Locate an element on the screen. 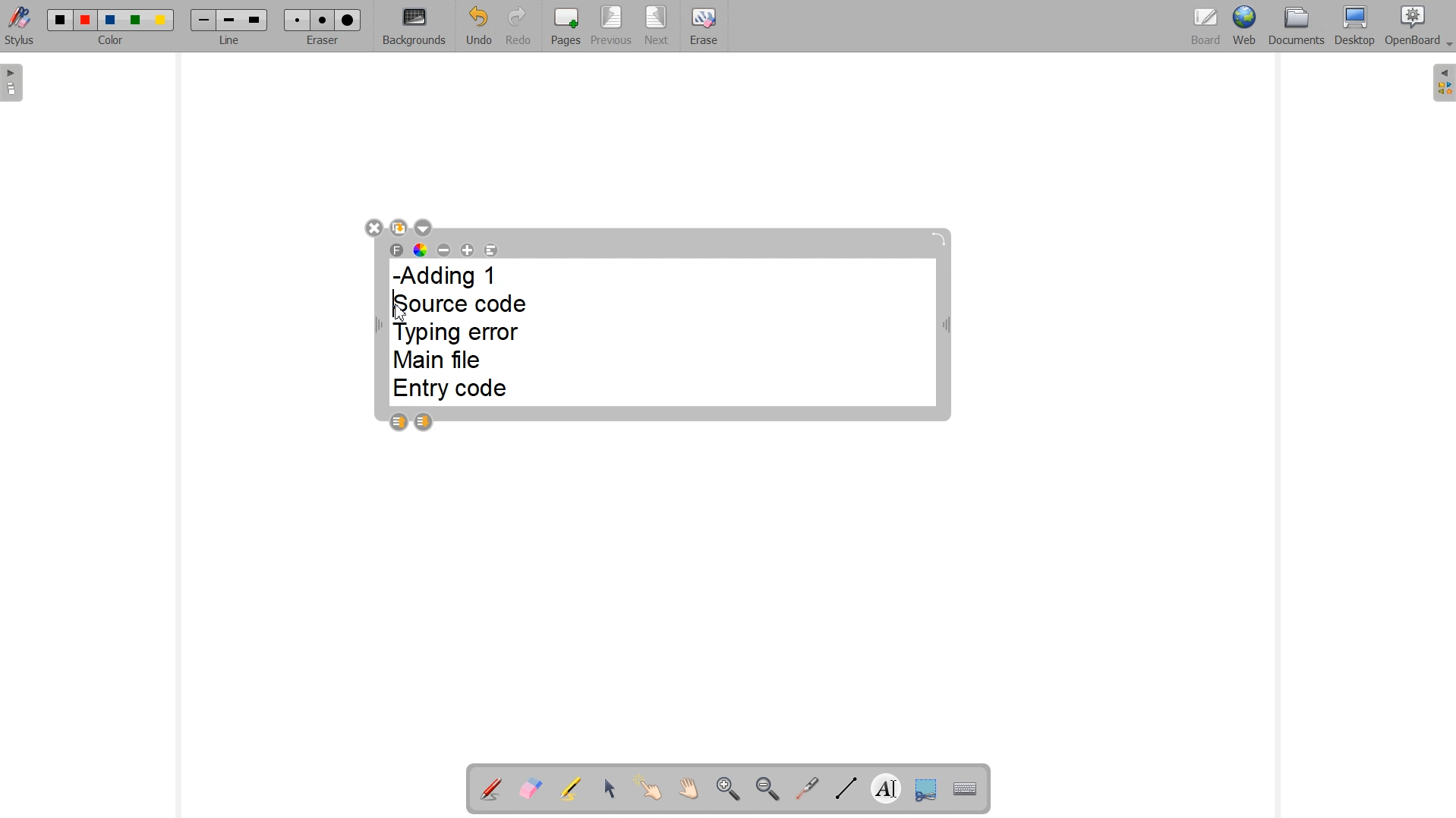  Decrease font size is located at coordinates (444, 249).